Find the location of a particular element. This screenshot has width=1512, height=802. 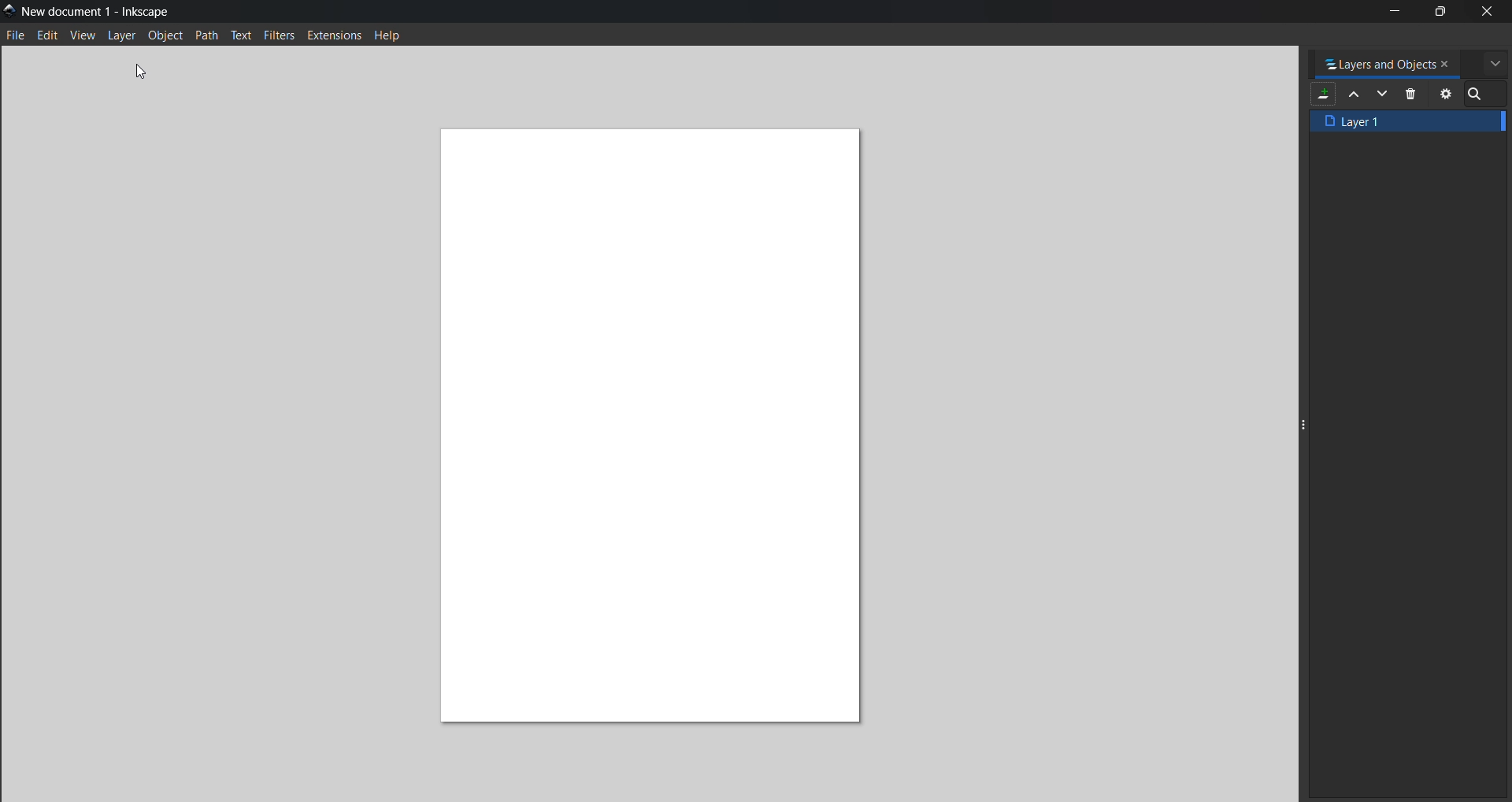

minimize is located at coordinates (1394, 10).